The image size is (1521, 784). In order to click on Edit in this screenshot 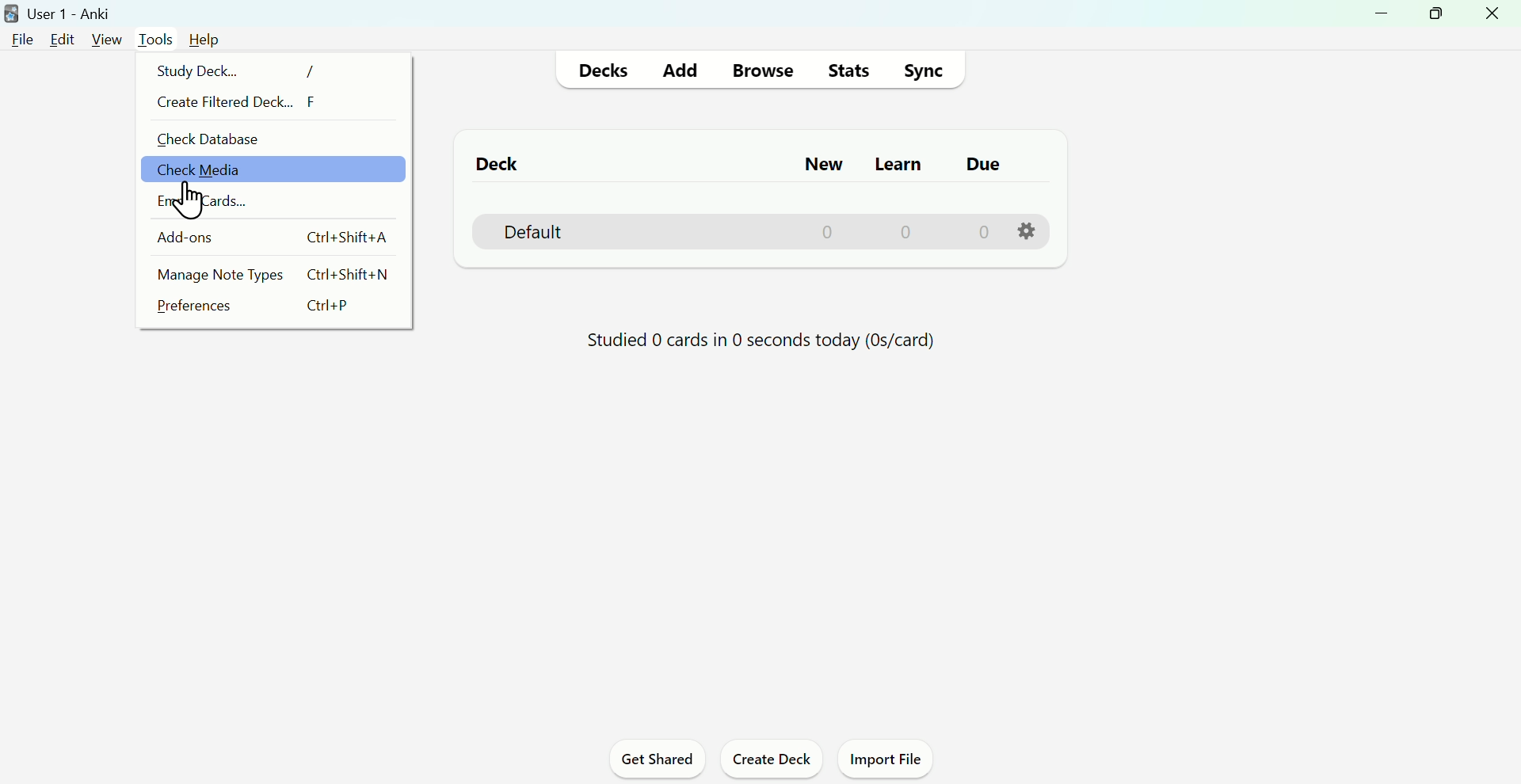, I will do `click(61, 40)`.